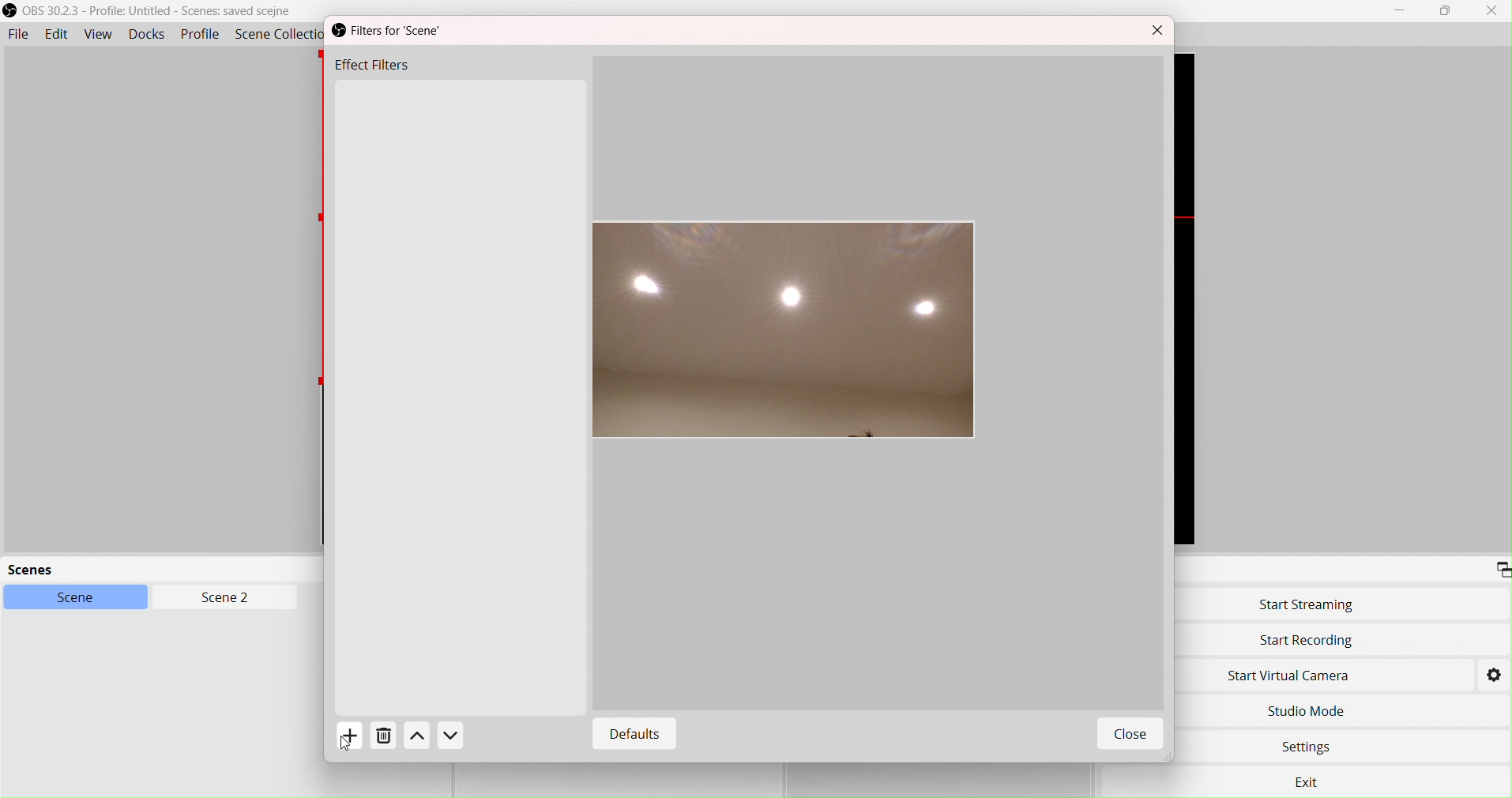  What do you see at coordinates (1307, 604) in the screenshot?
I see `Start Streaming` at bounding box center [1307, 604].